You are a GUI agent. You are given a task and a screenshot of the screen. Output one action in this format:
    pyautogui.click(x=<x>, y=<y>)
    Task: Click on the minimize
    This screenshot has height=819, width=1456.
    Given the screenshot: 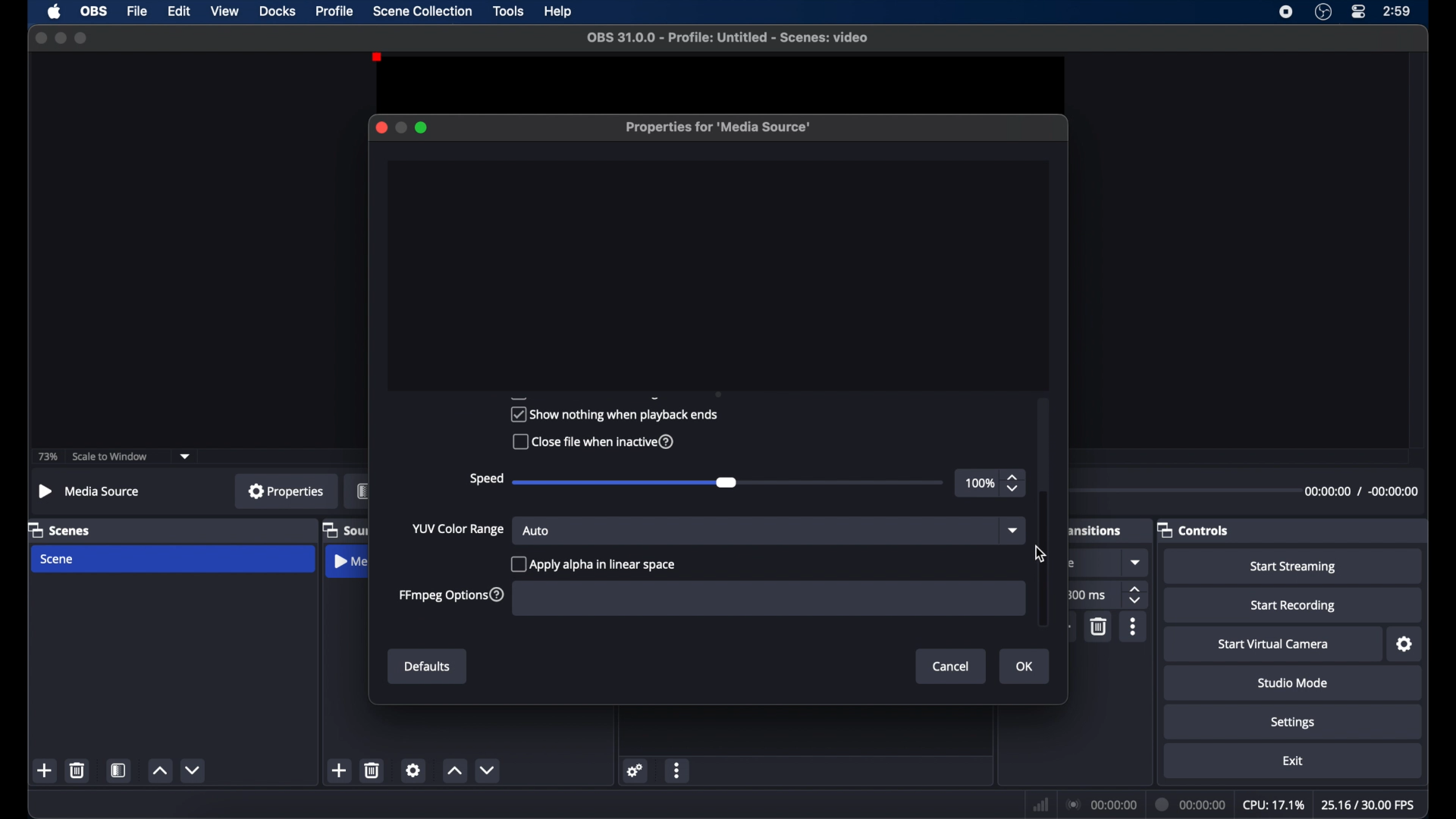 What is the action you would take?
    pyautogui.click(x=400, y=127)
    